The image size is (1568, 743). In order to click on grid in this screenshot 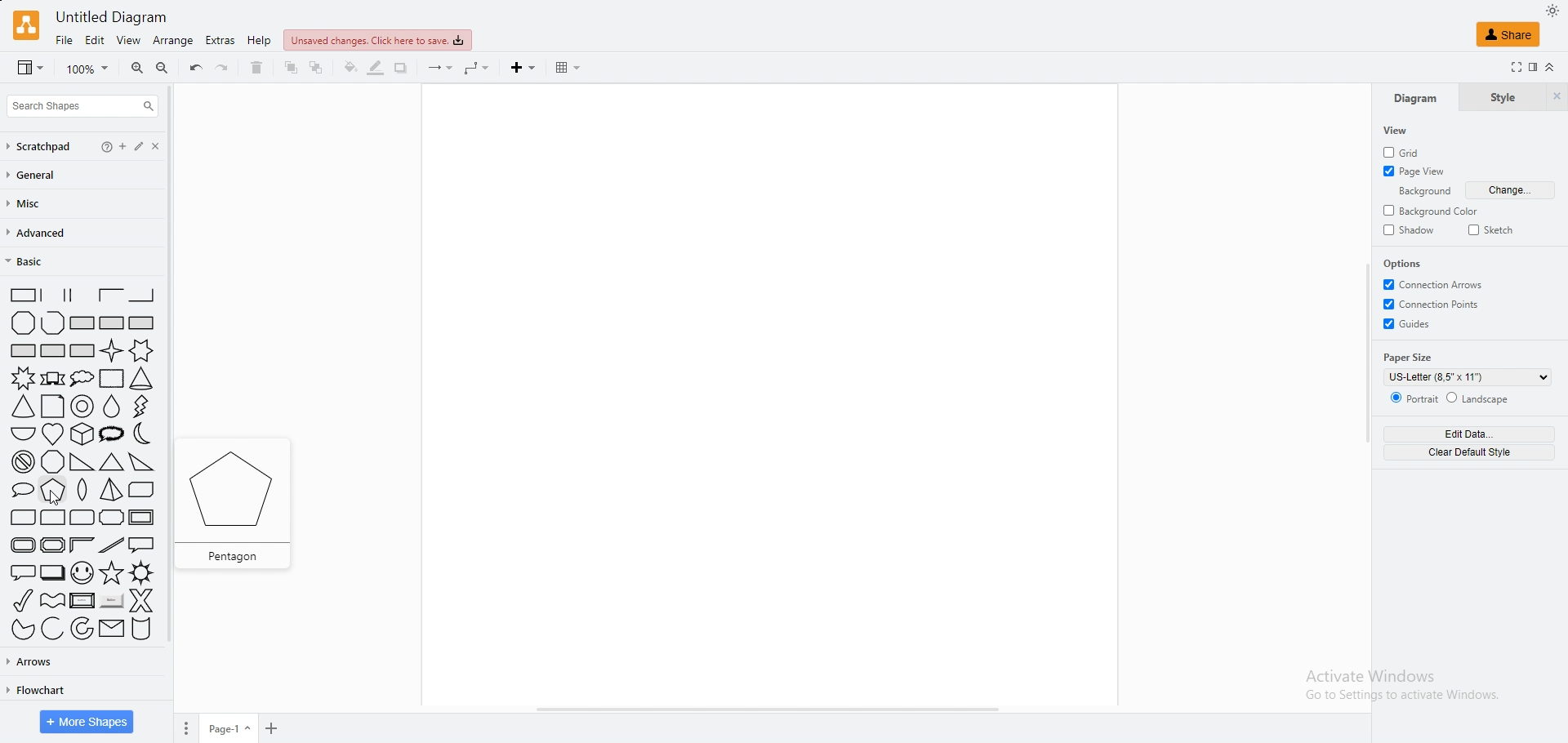, I will do `click(1410, 152)`.